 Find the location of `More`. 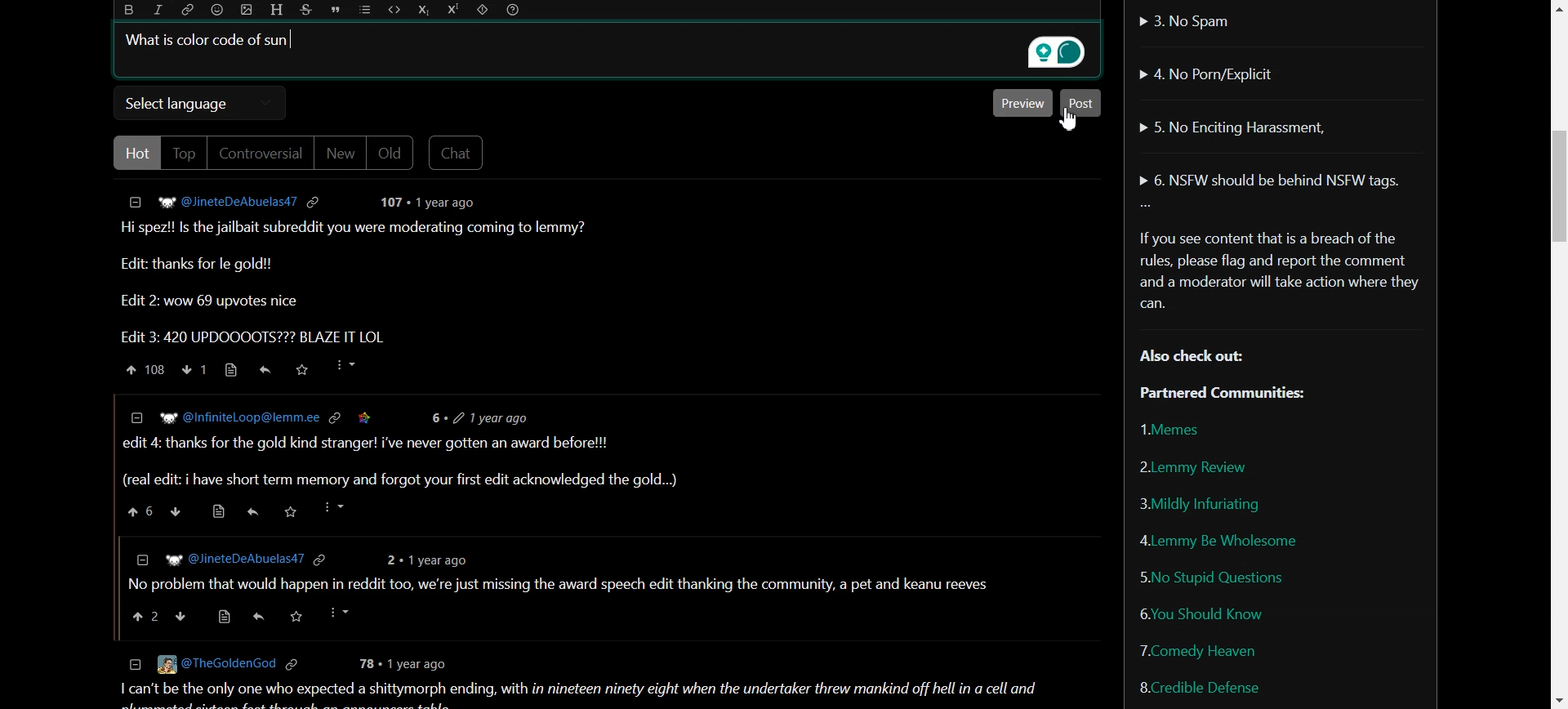

More is located at coordinates (343, 367).